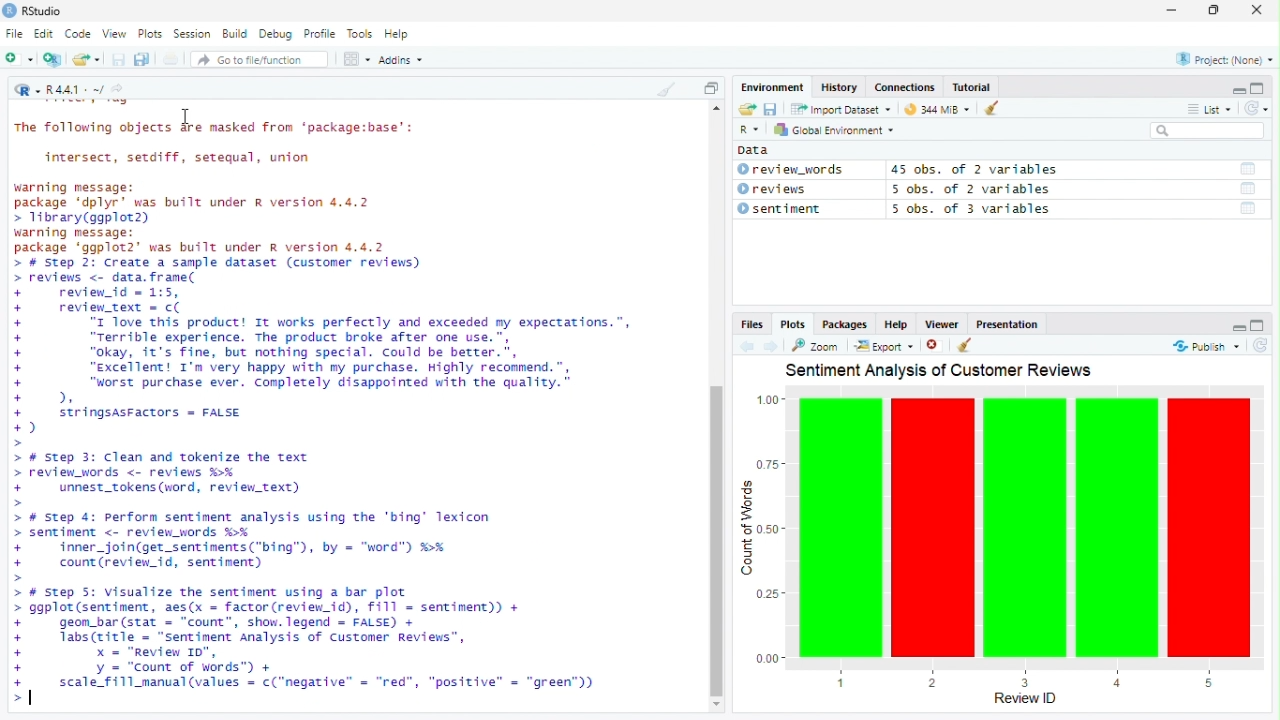  I want to click on warning message:
package ‘dplyr’ was built under R version 4.4.2

> Vibrary(ggplot2)

warning message:

package ‘0oplot2’ was built under R version 4.4.2, so click(204, 219).